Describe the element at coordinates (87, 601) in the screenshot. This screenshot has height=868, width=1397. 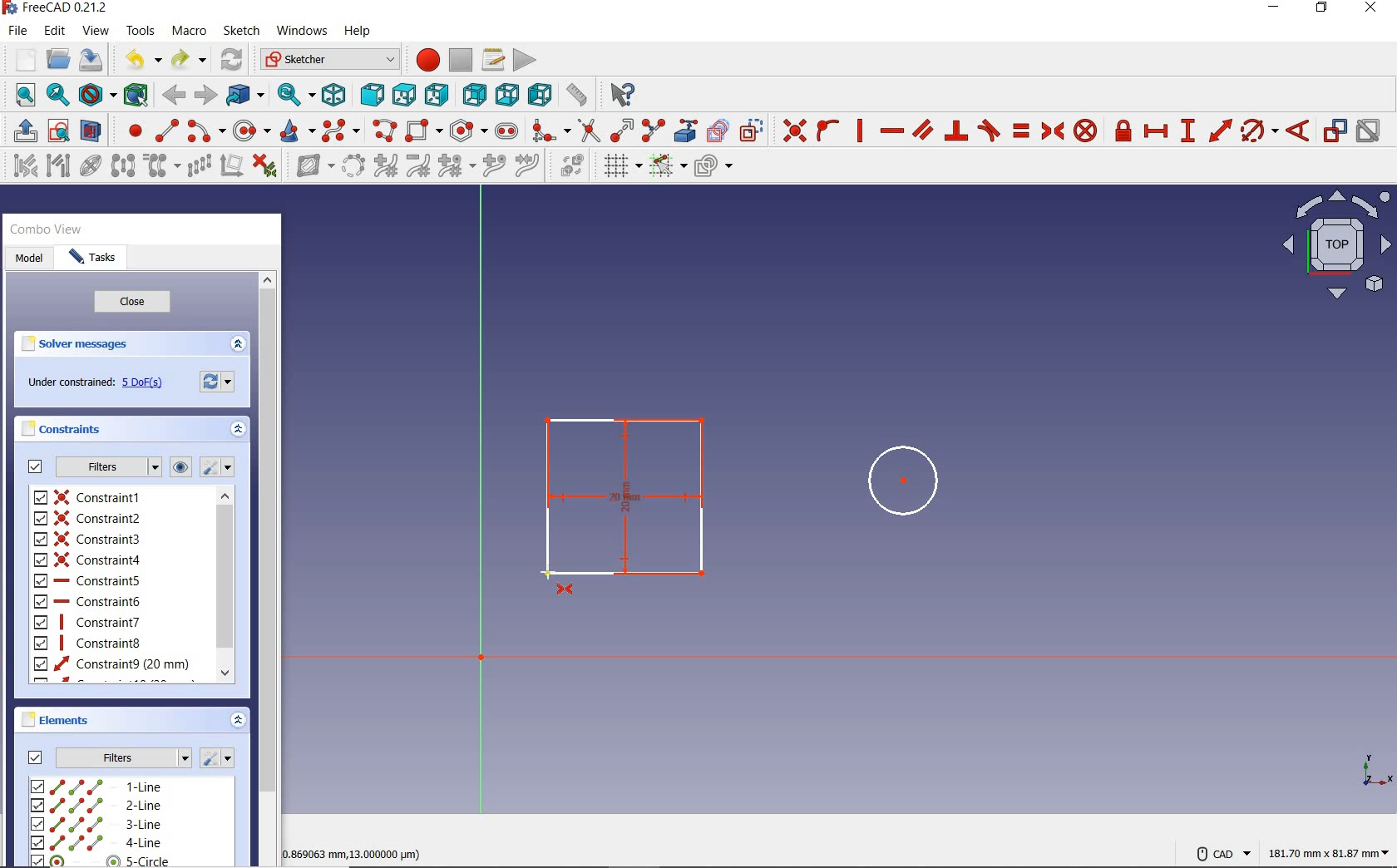
I see `constraint6` at that location.